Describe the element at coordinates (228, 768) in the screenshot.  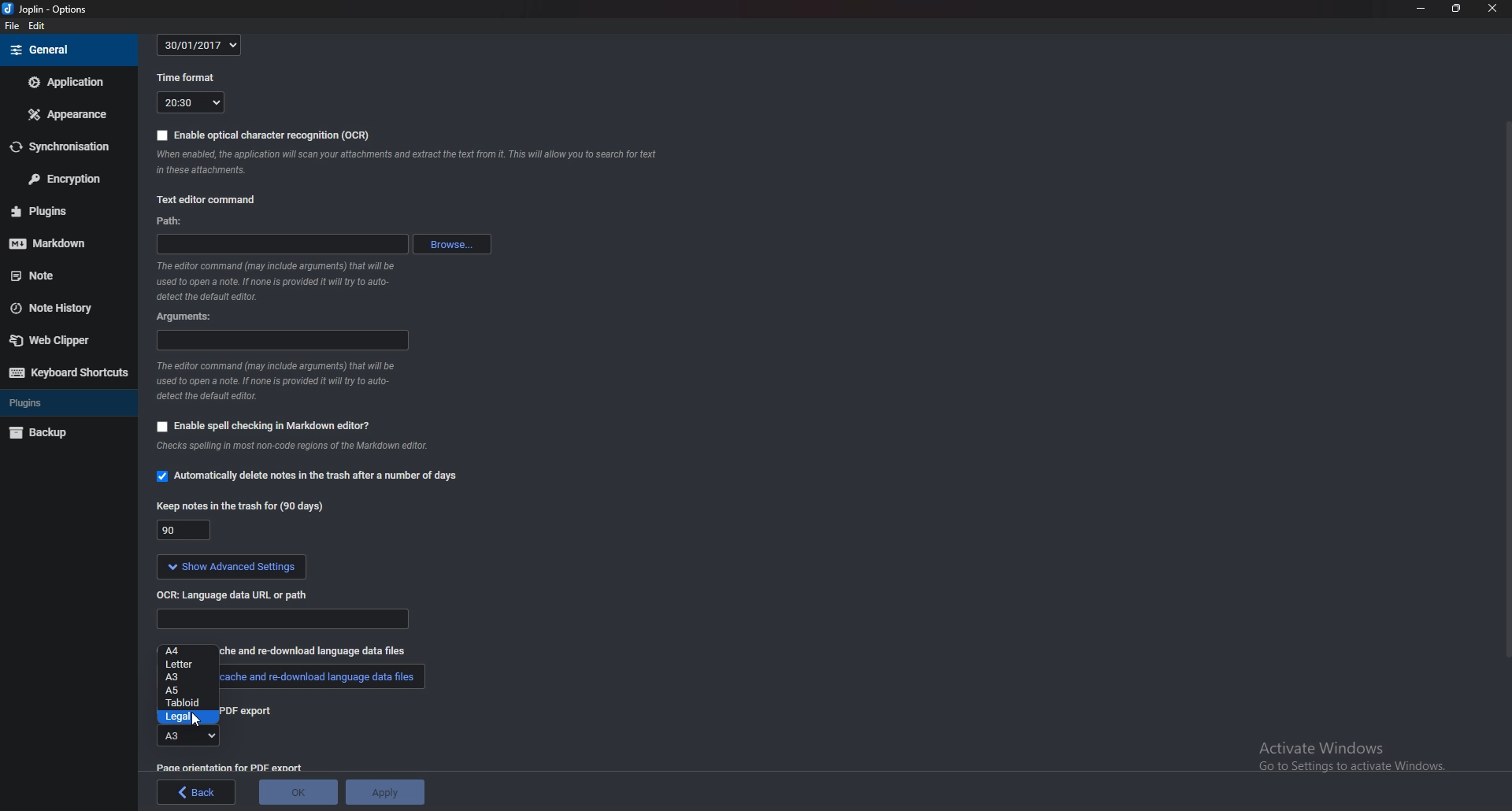
I see `page orientation for pdf export` at that location.